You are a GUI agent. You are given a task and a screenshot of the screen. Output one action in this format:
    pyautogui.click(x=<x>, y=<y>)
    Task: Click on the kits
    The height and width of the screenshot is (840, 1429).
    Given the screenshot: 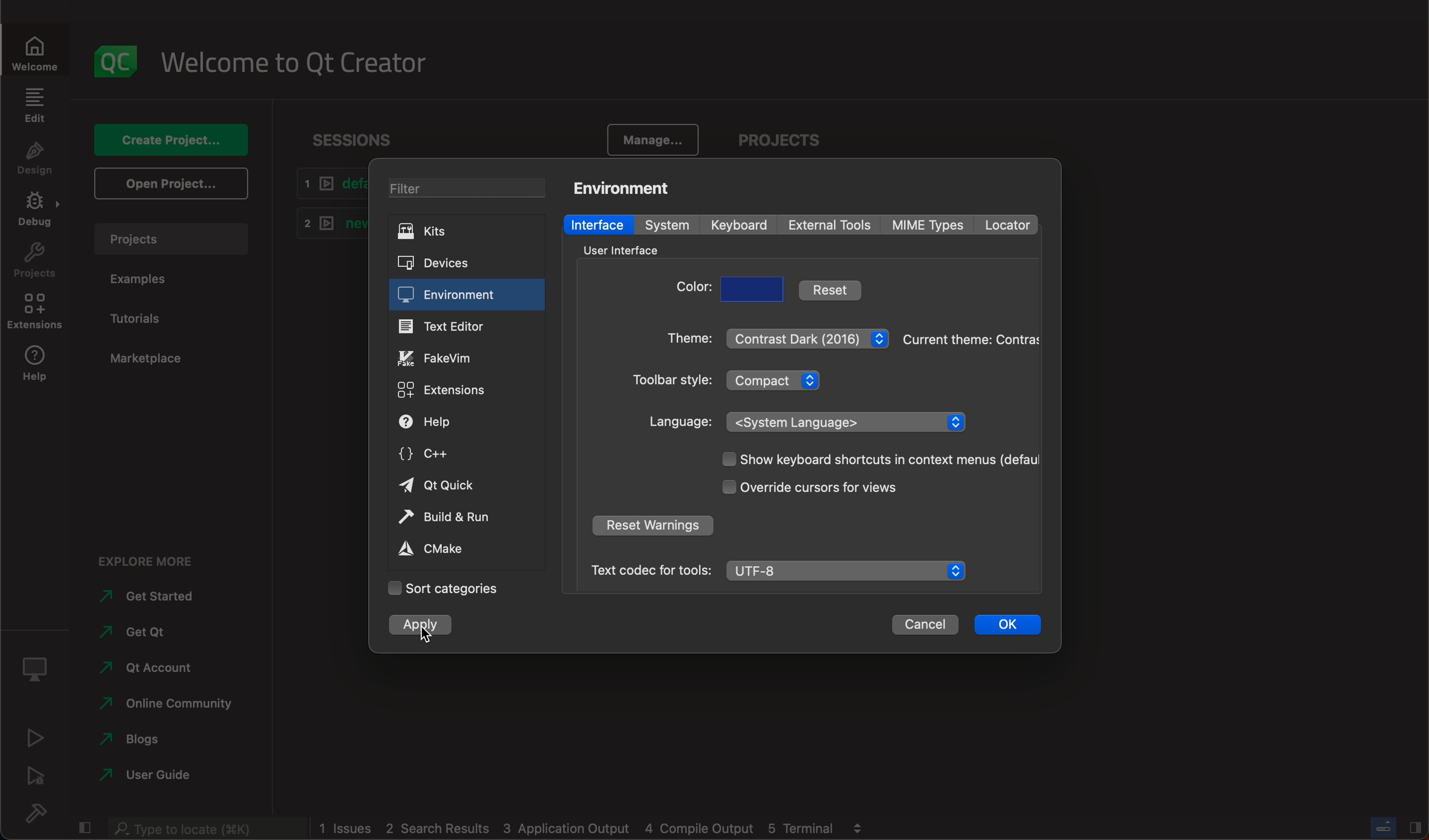 What is the action you would take?
    pyautogui.click(x=460, y=232)
    